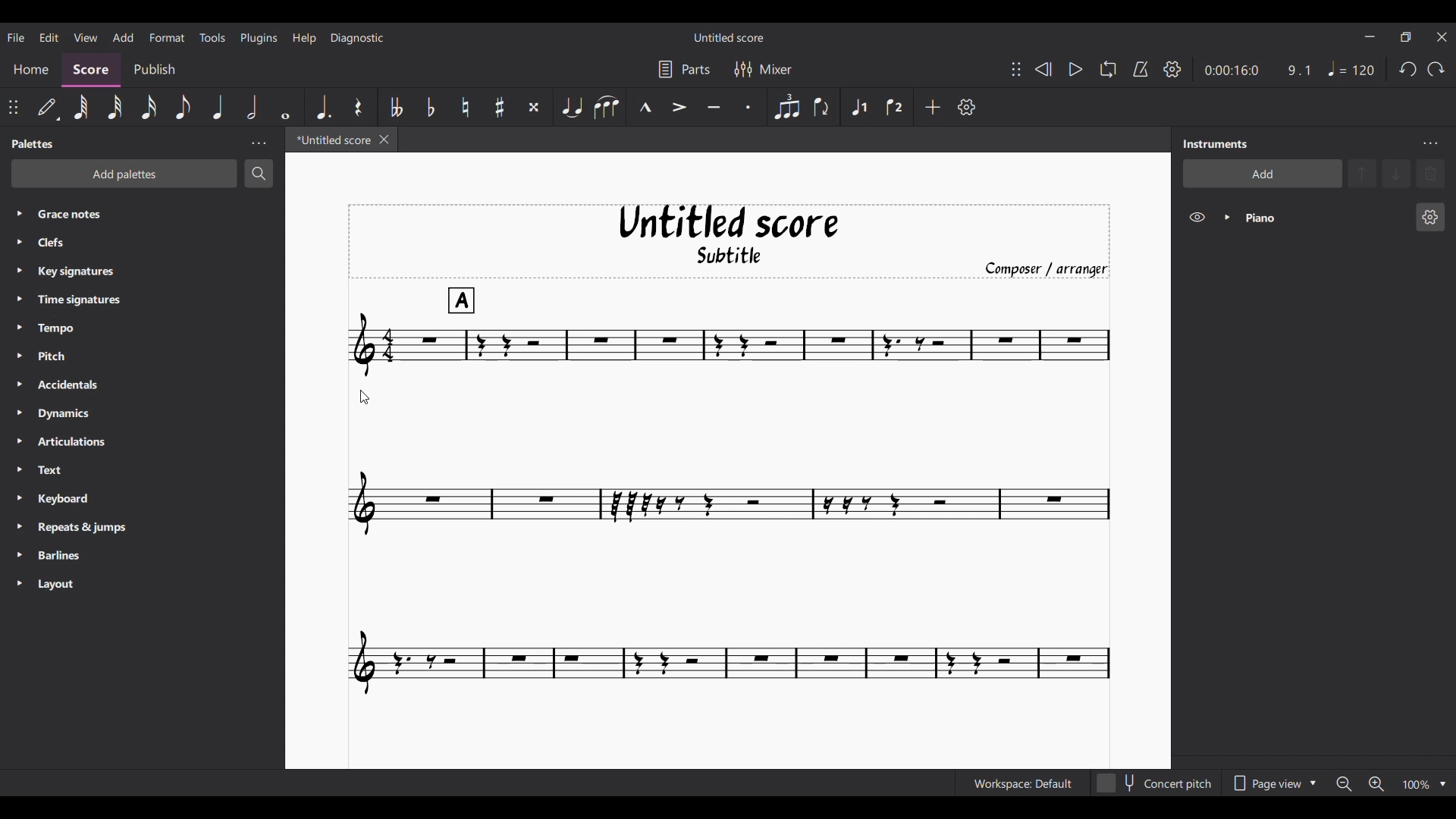 The height and width of the screenshot is (819, 1456). Describe the element at coordinates (86, 355) in the screenshot. I see `Pitch` at that location.